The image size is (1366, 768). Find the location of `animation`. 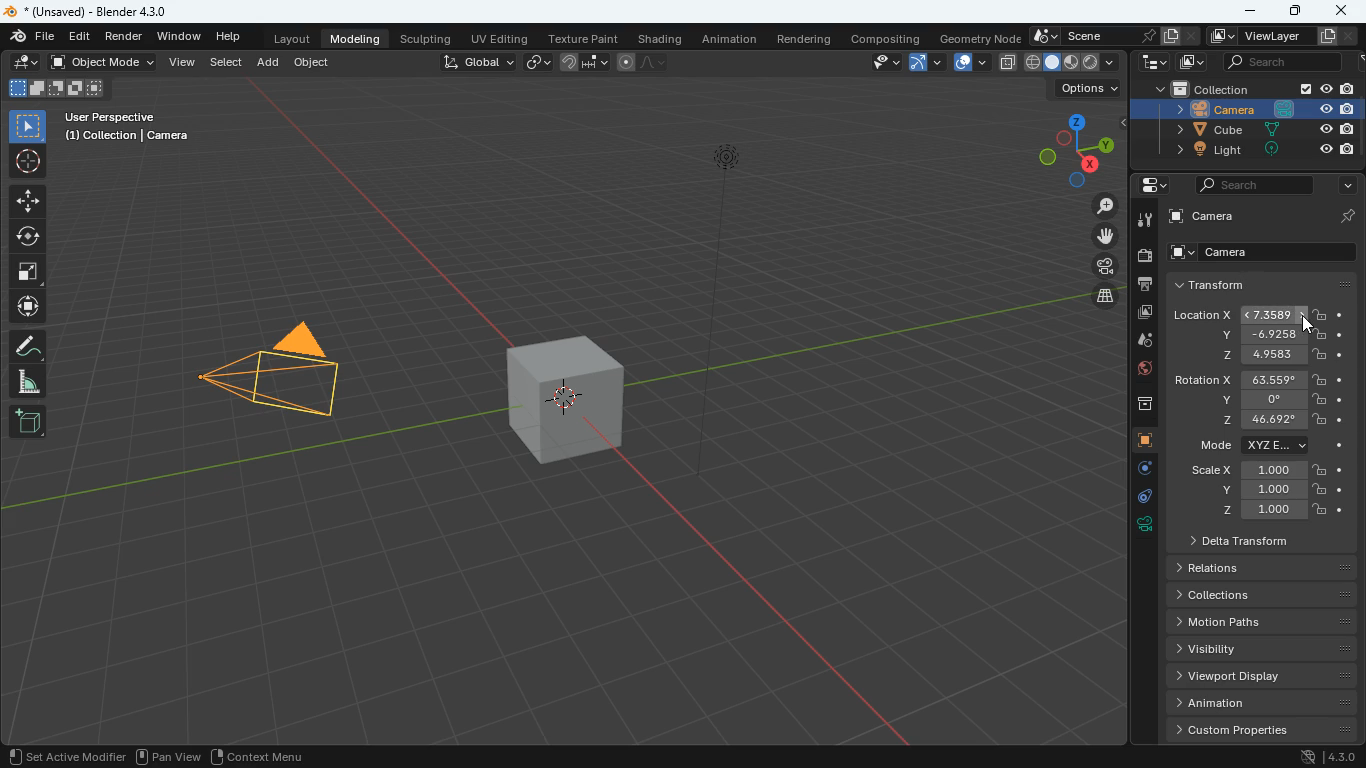

animation is located at coordinates (1263, 701).